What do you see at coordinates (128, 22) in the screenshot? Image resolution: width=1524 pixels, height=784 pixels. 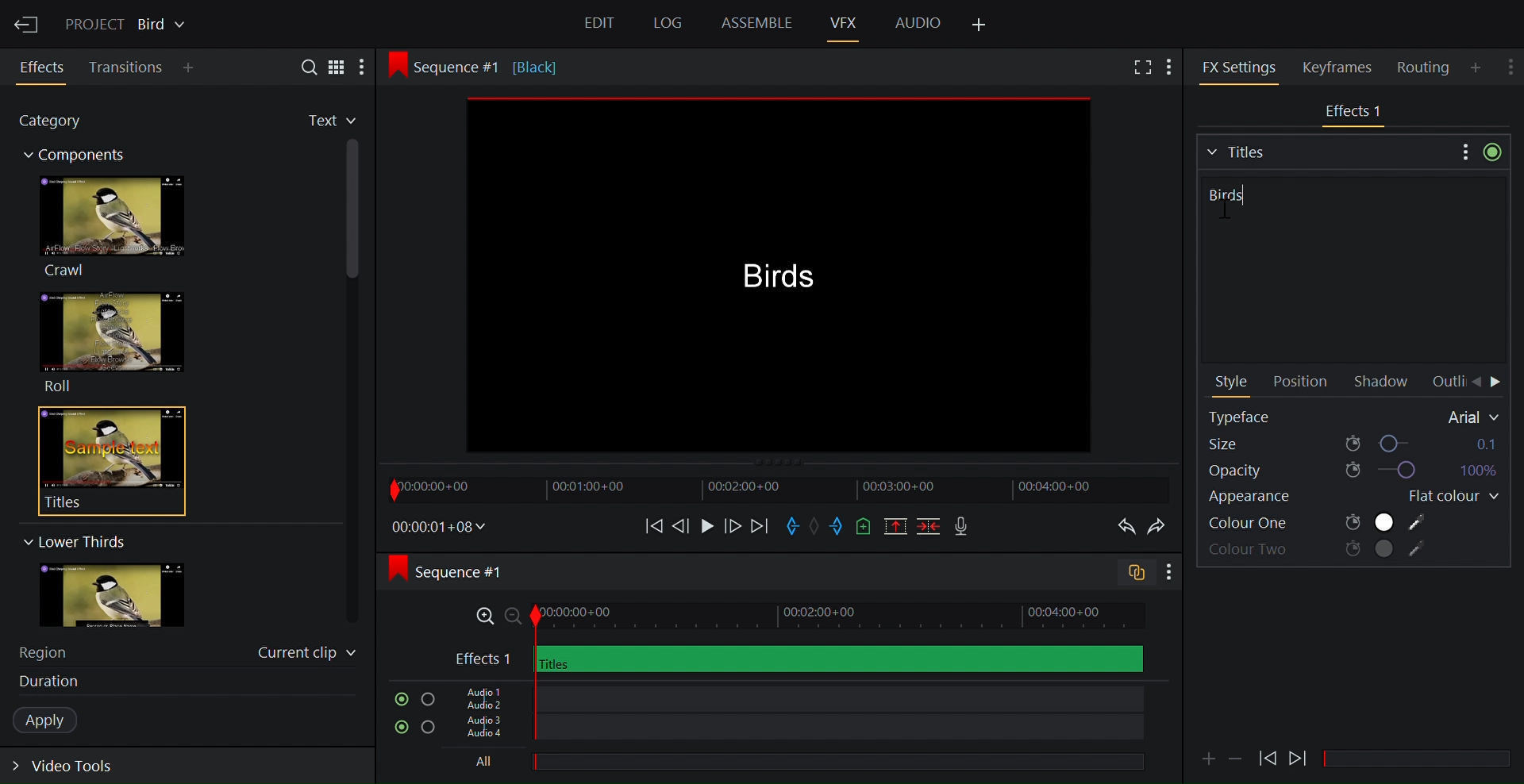 I see `Show/Change current project details` at bounding box center [128, 22].